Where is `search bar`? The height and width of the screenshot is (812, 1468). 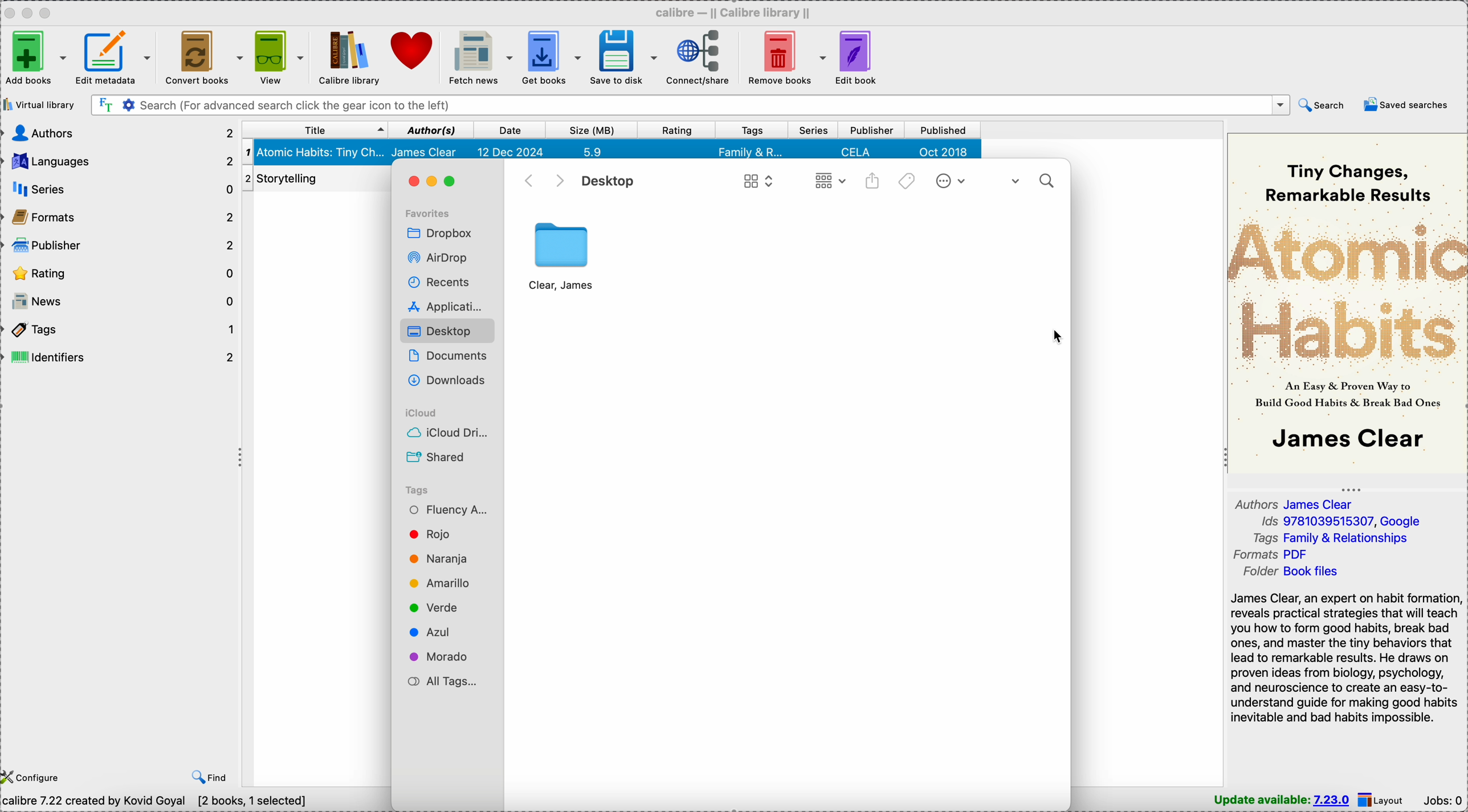 search bar is located at coordinates (688, 104).